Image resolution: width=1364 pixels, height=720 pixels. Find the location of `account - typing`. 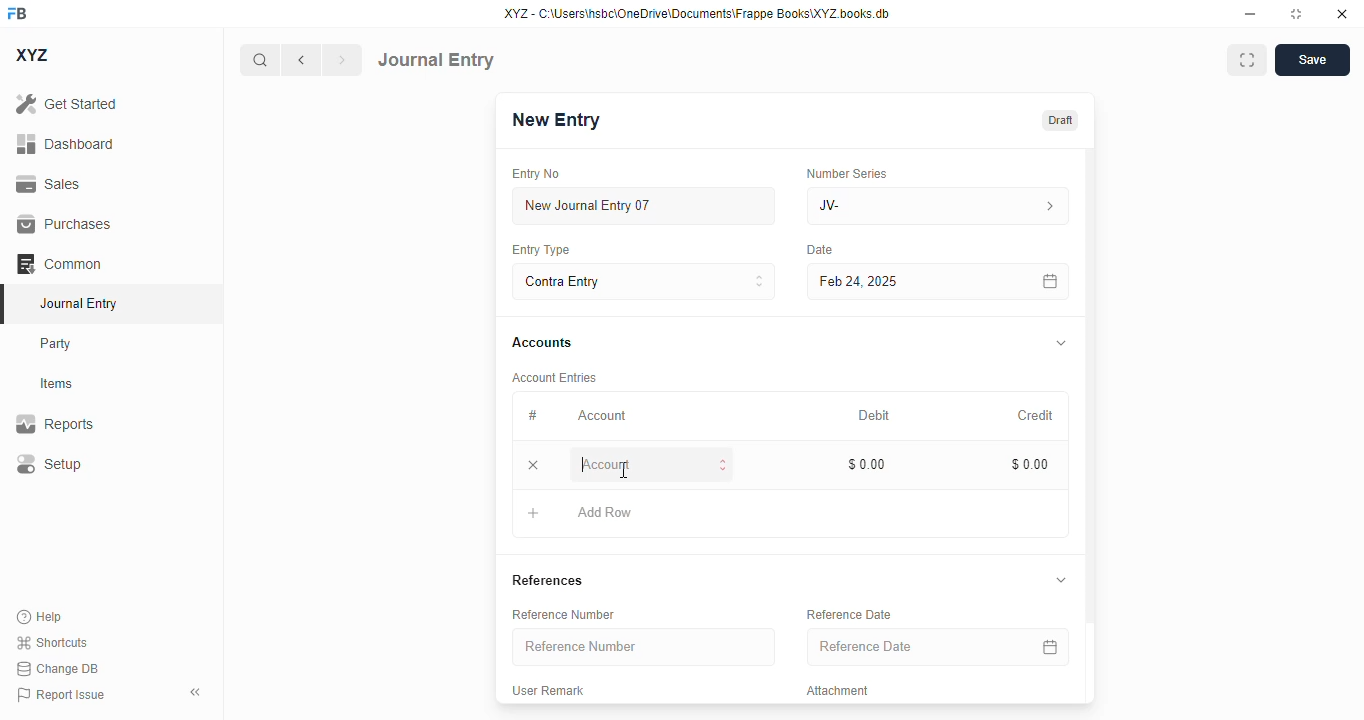

account - typing is located at coordinates (655, 464).